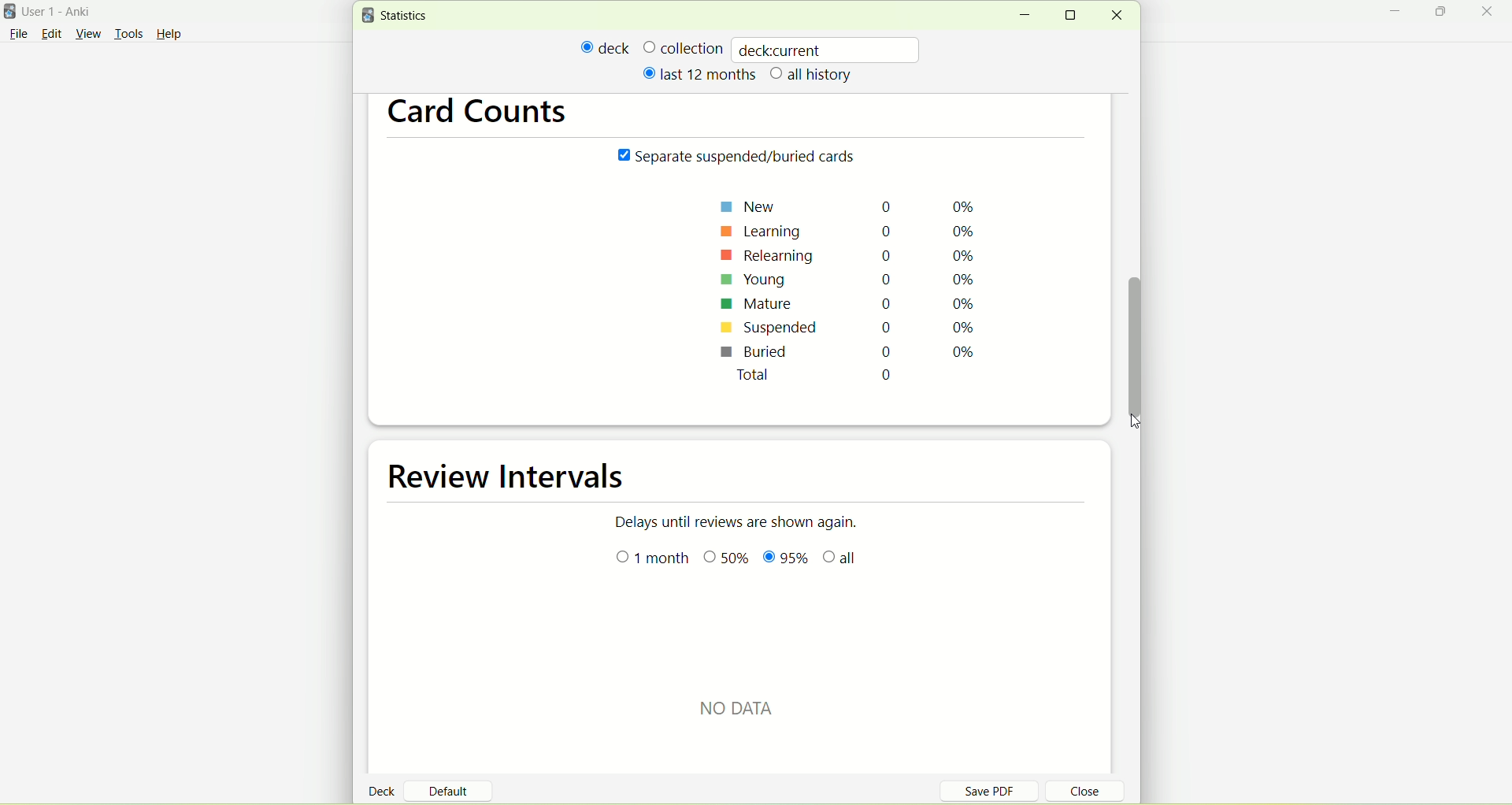  What do you see at coordinates (91, 35) in the screenshot?
I see `view` at bounding box center [91, 35].